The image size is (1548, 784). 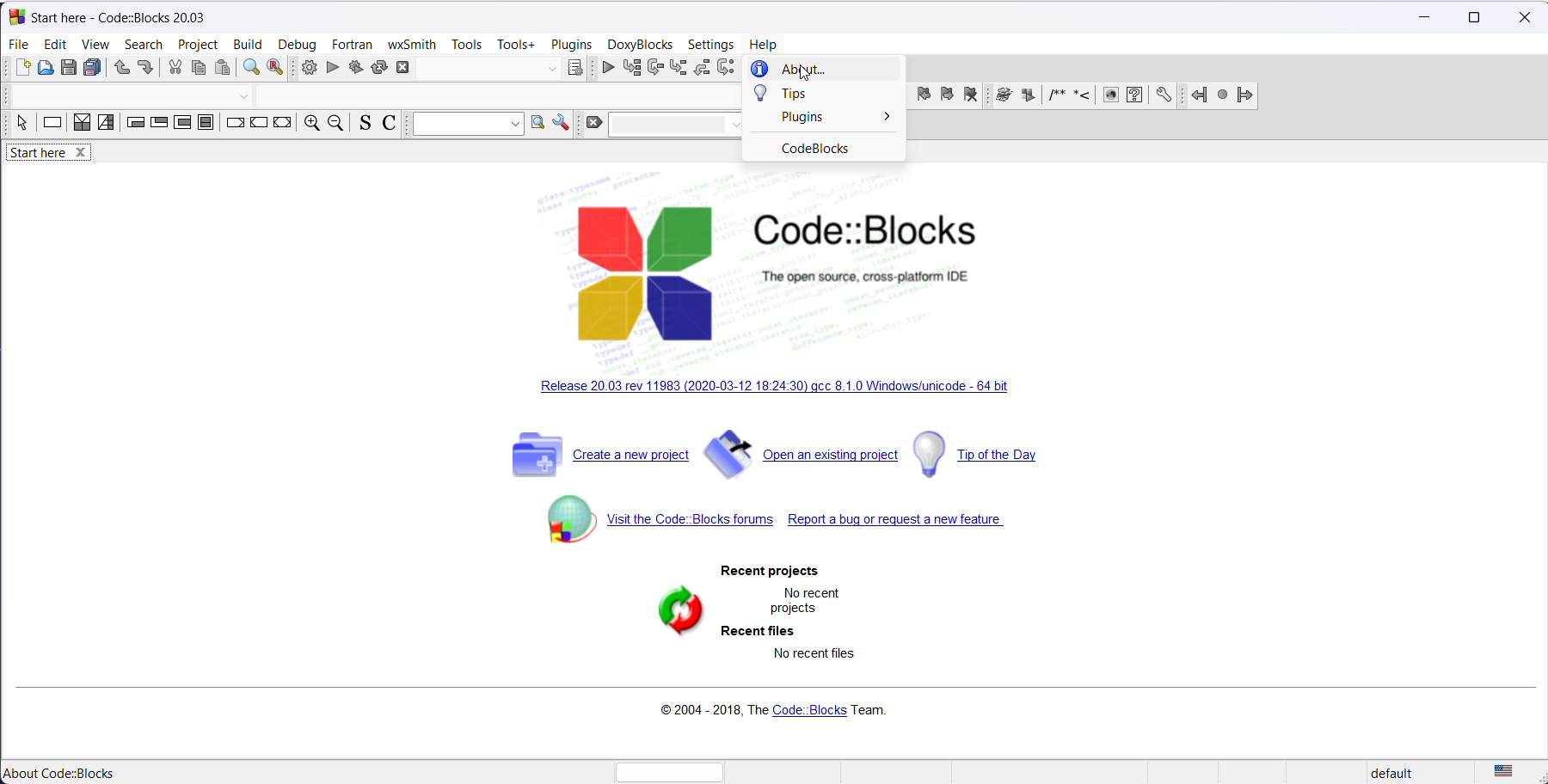 I want to click on codeBlocks, so click(x=826, y=151).